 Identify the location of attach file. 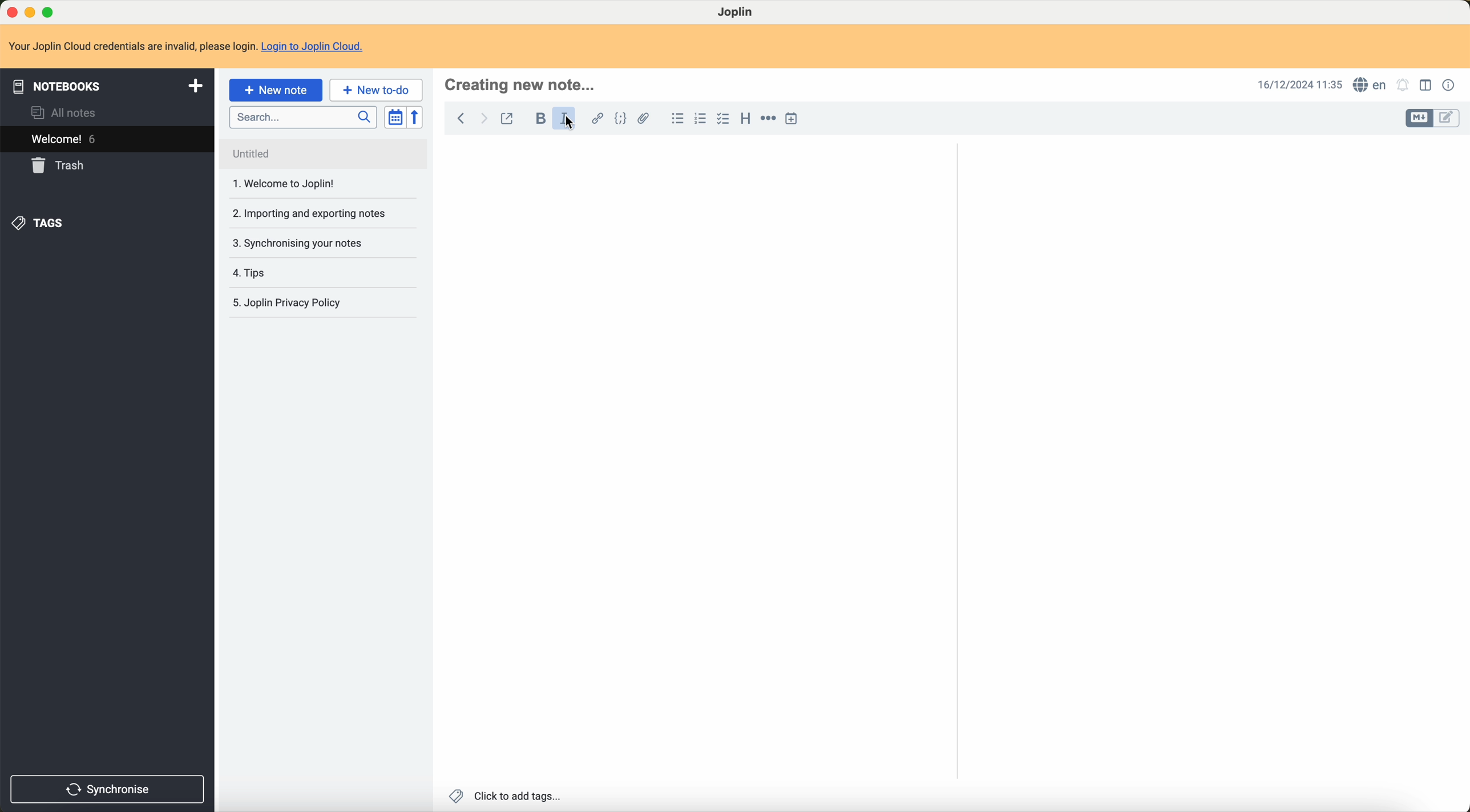
(644, 118).